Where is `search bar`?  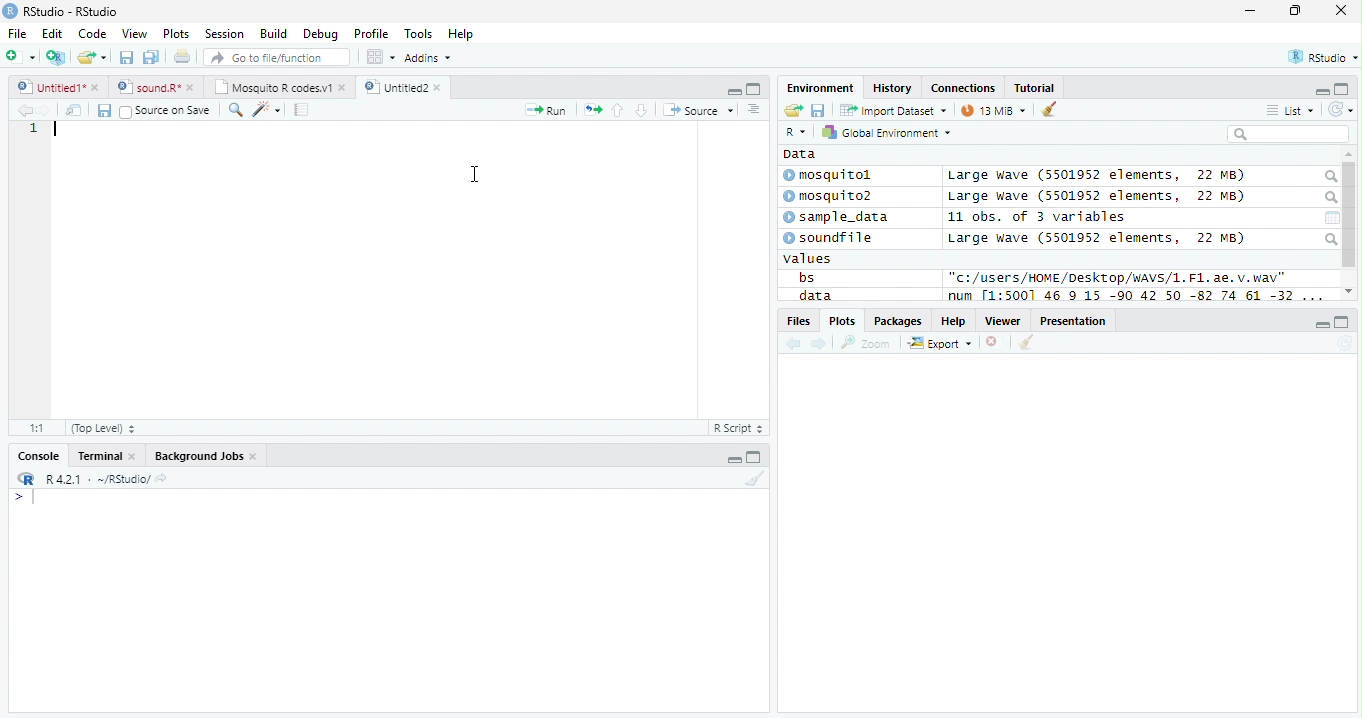 search bar is located at coordinates (1288, 133).